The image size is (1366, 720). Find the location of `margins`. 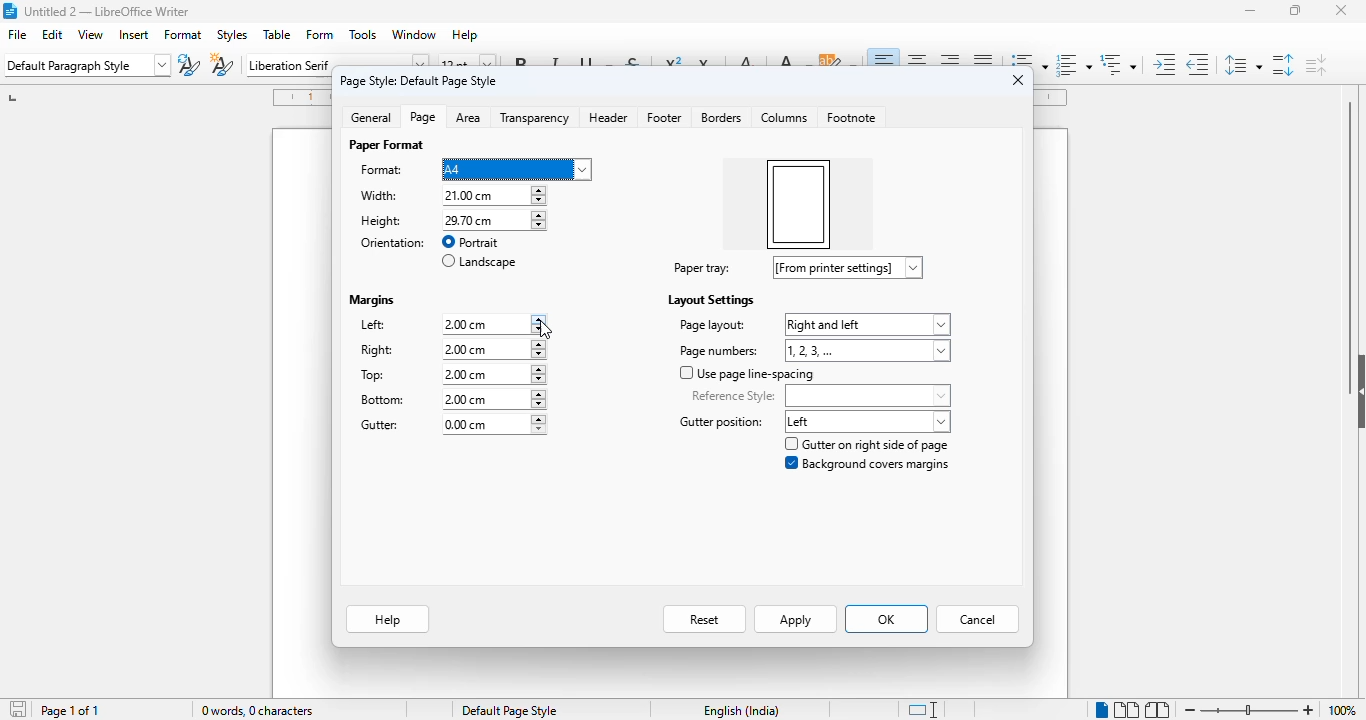

margins is located at coordinates (371, 300).